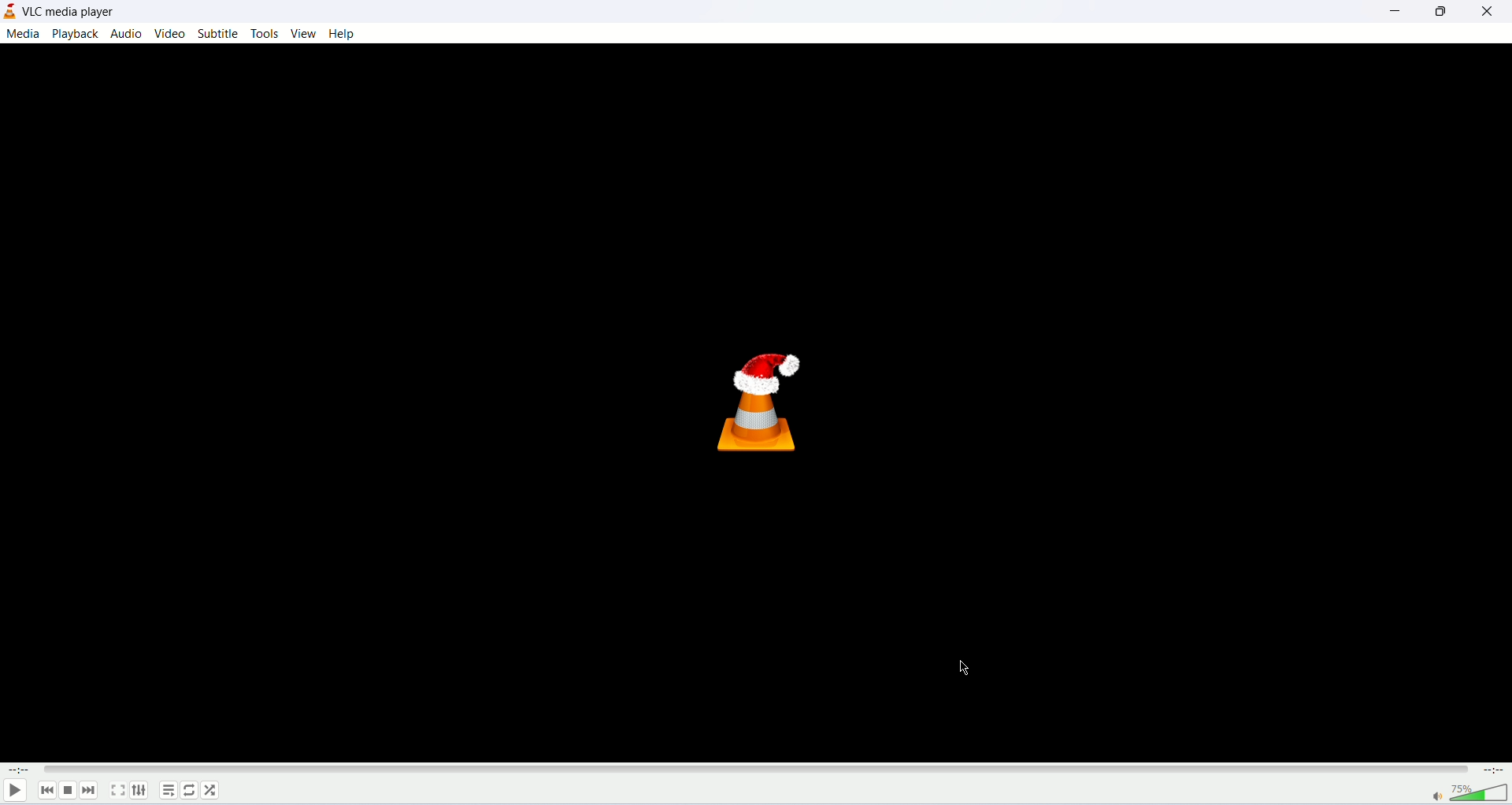 This screenshot has height=805, width=1512. What do you see at coordinates (303, 34) in the screenshot?
I see `view` at bounding box center [303, 34].